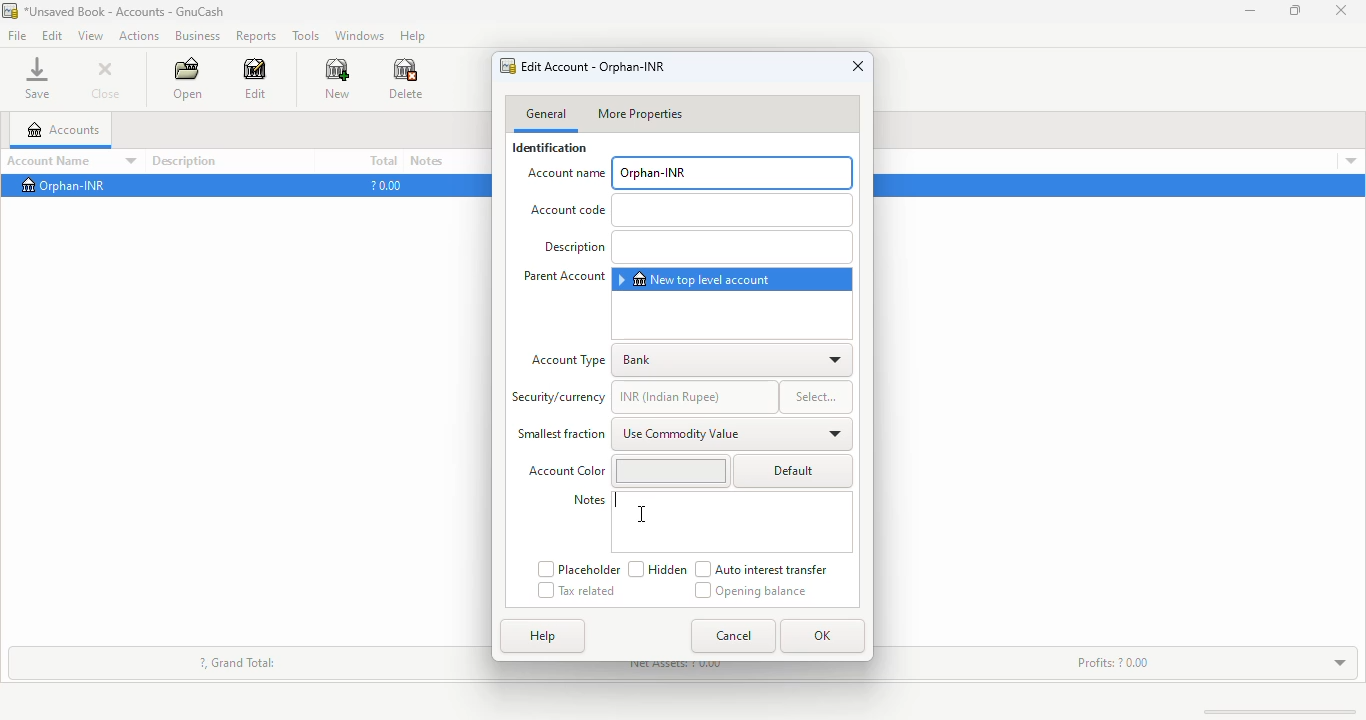 The image size is (1366, 720). Describe the element at coordinates (238, 663) in the screenshot. I see `?, grand total: ` at that location.